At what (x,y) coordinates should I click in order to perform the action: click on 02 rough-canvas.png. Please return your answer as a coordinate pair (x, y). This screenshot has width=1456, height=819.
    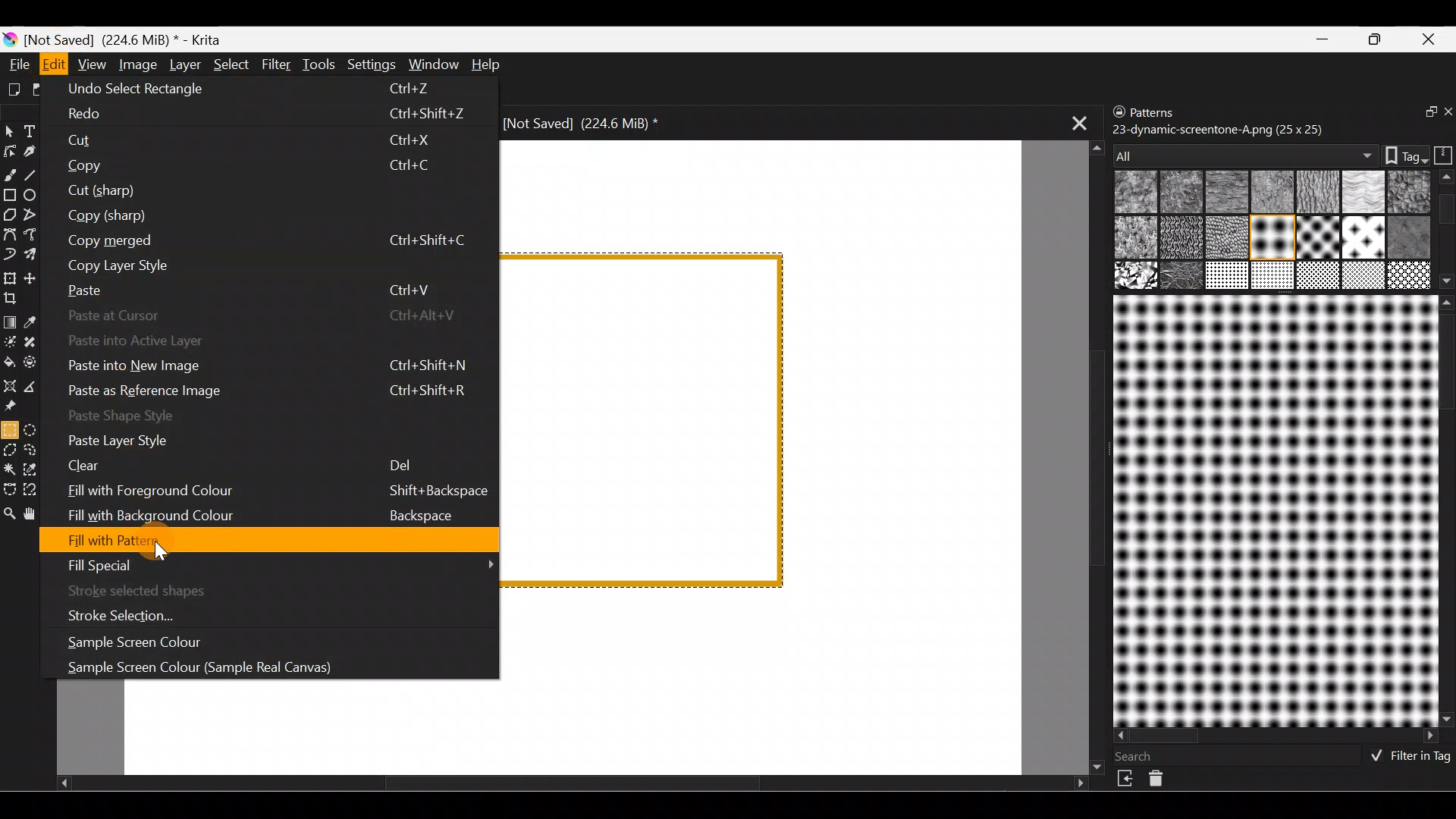
    Looking at the image, I should click on (1180, 193).